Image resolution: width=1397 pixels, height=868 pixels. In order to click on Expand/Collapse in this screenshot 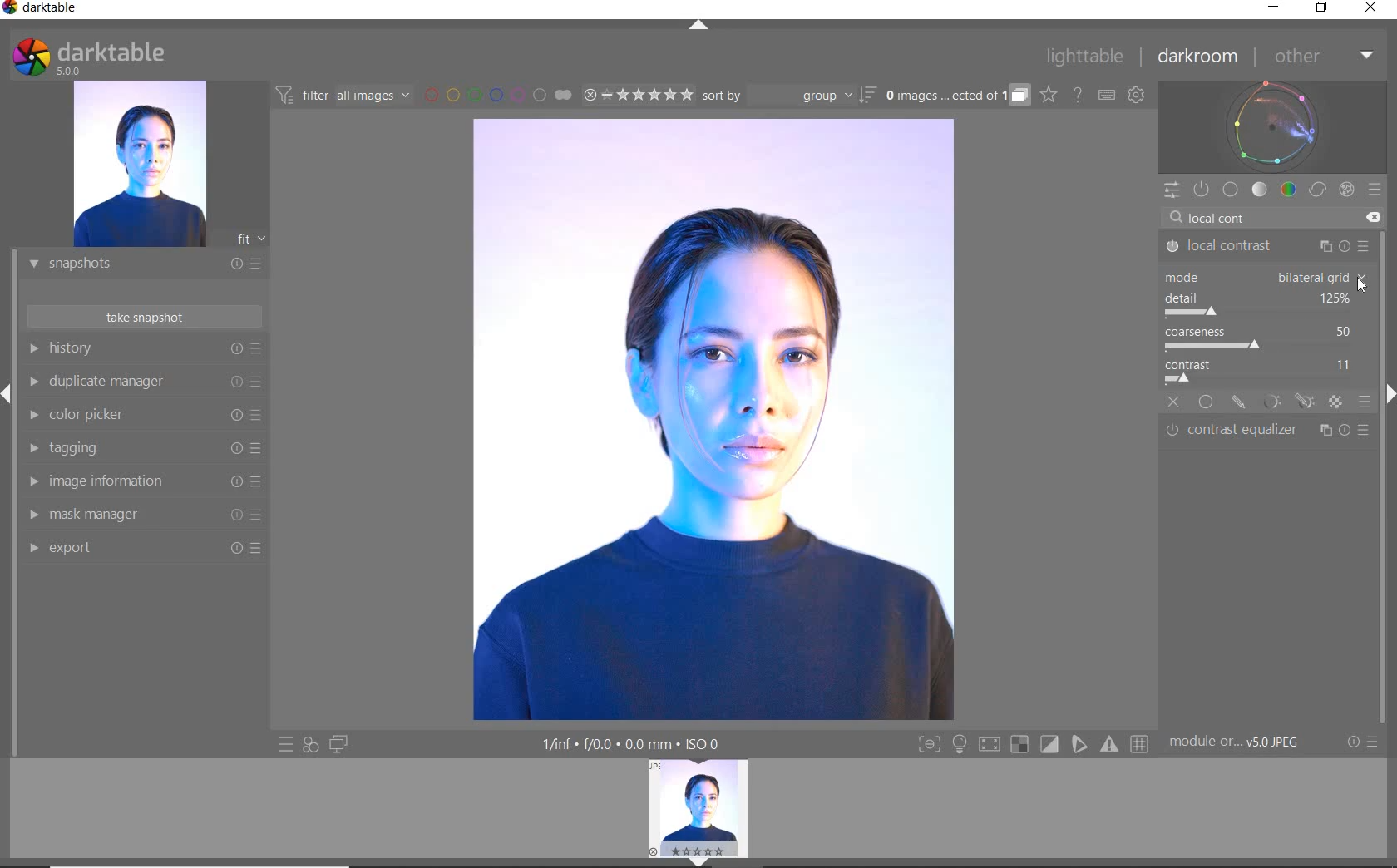, I will do `click(1388, 392)`.